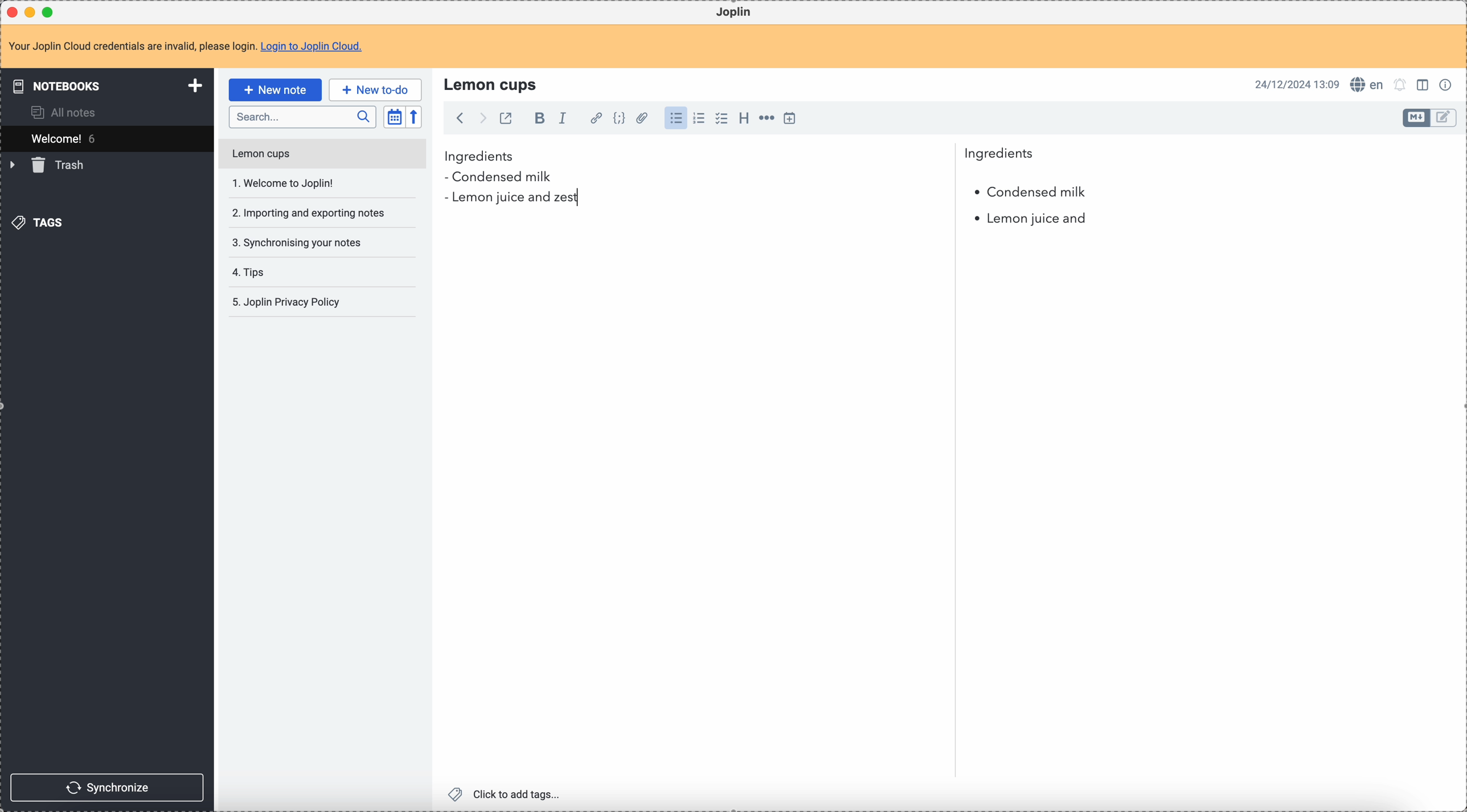 Image resolution: width=1467 pixels, height=812 pixels. What do you see at coordinates (375, 89) in the screenshot?
I see `new to-do` at bounding box center [375, 89].